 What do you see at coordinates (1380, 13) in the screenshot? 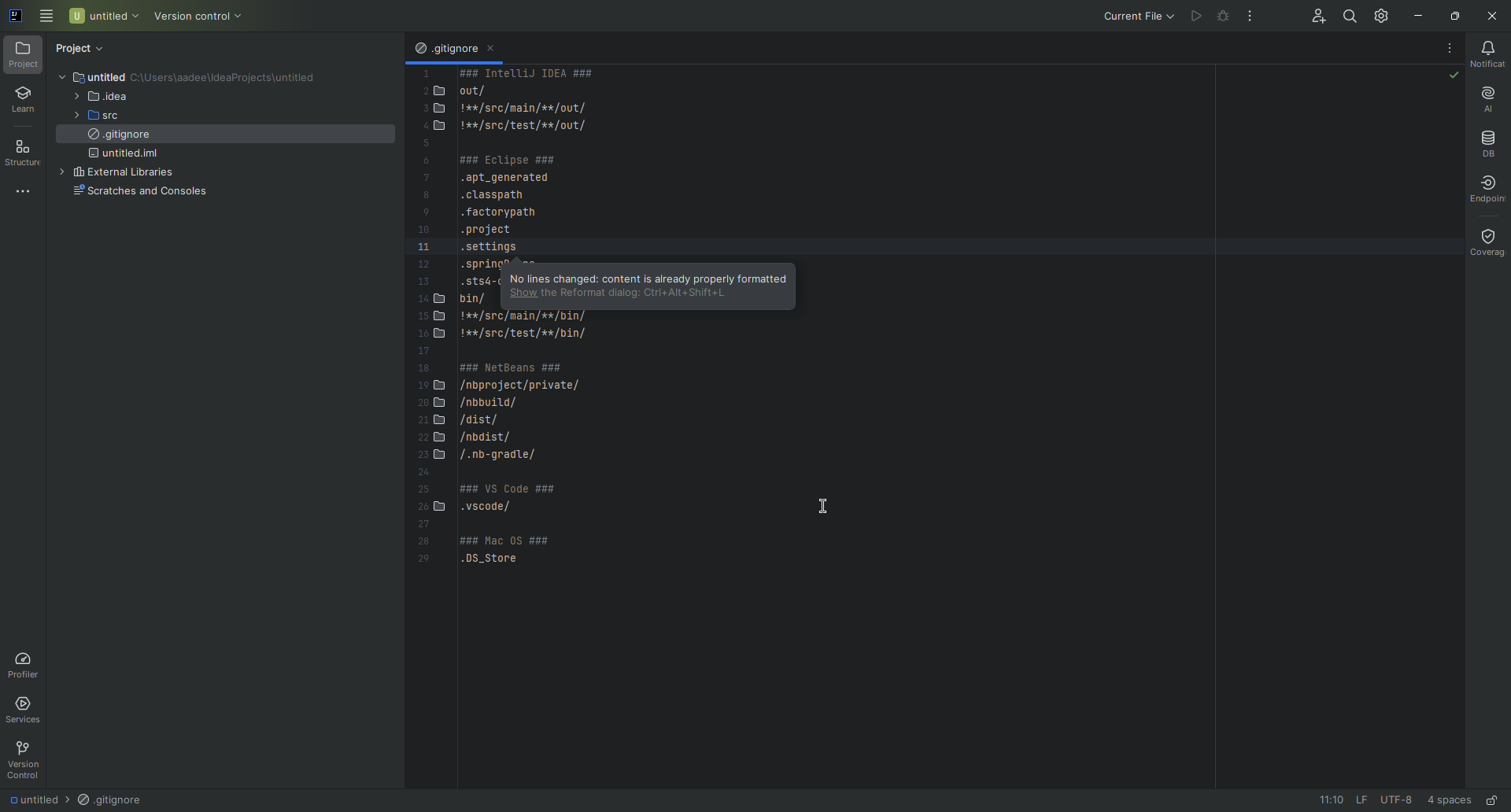
I see `Updates and Settings` at bounding box center [1380, 13].